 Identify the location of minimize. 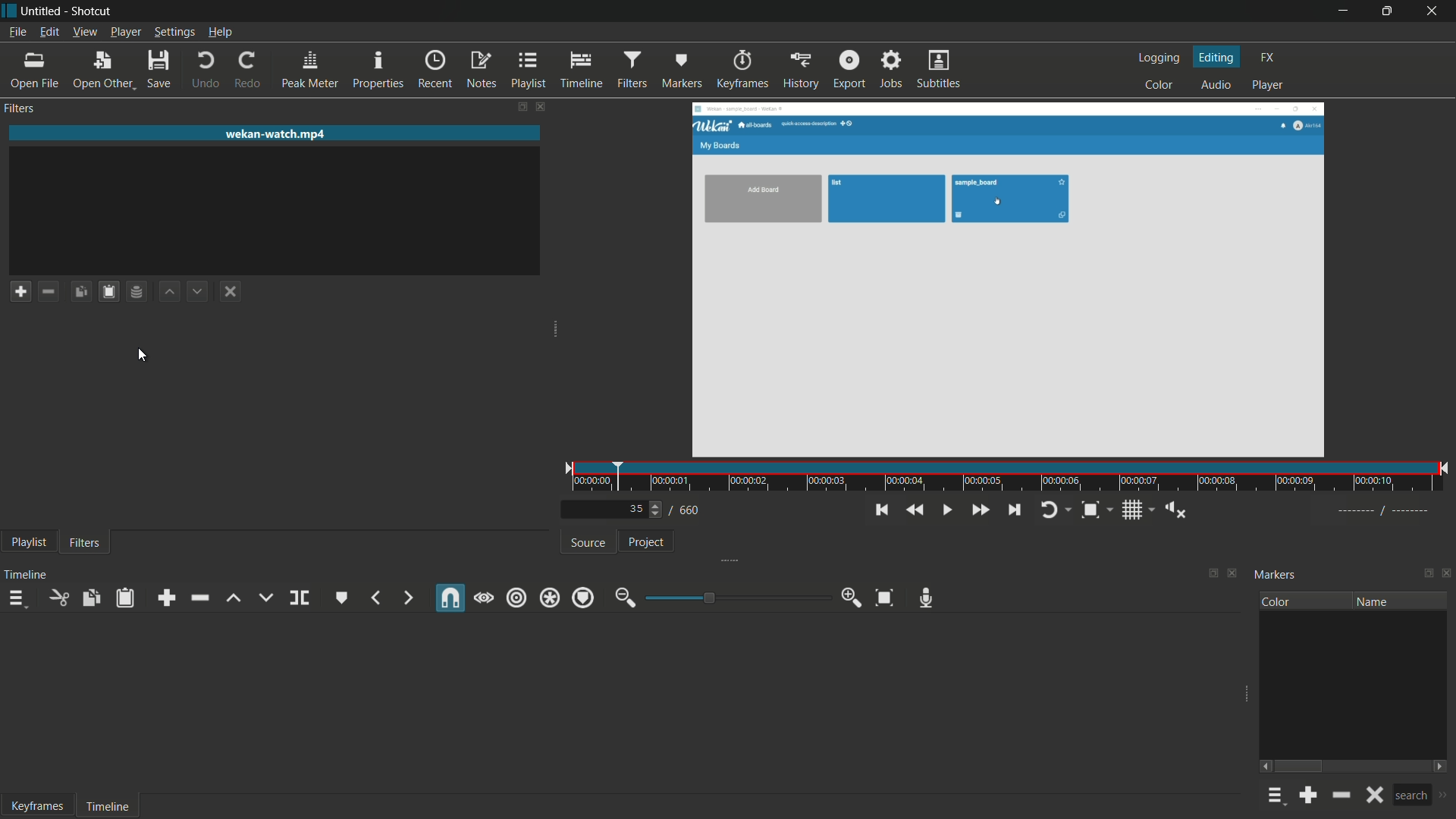
(1341, 11).